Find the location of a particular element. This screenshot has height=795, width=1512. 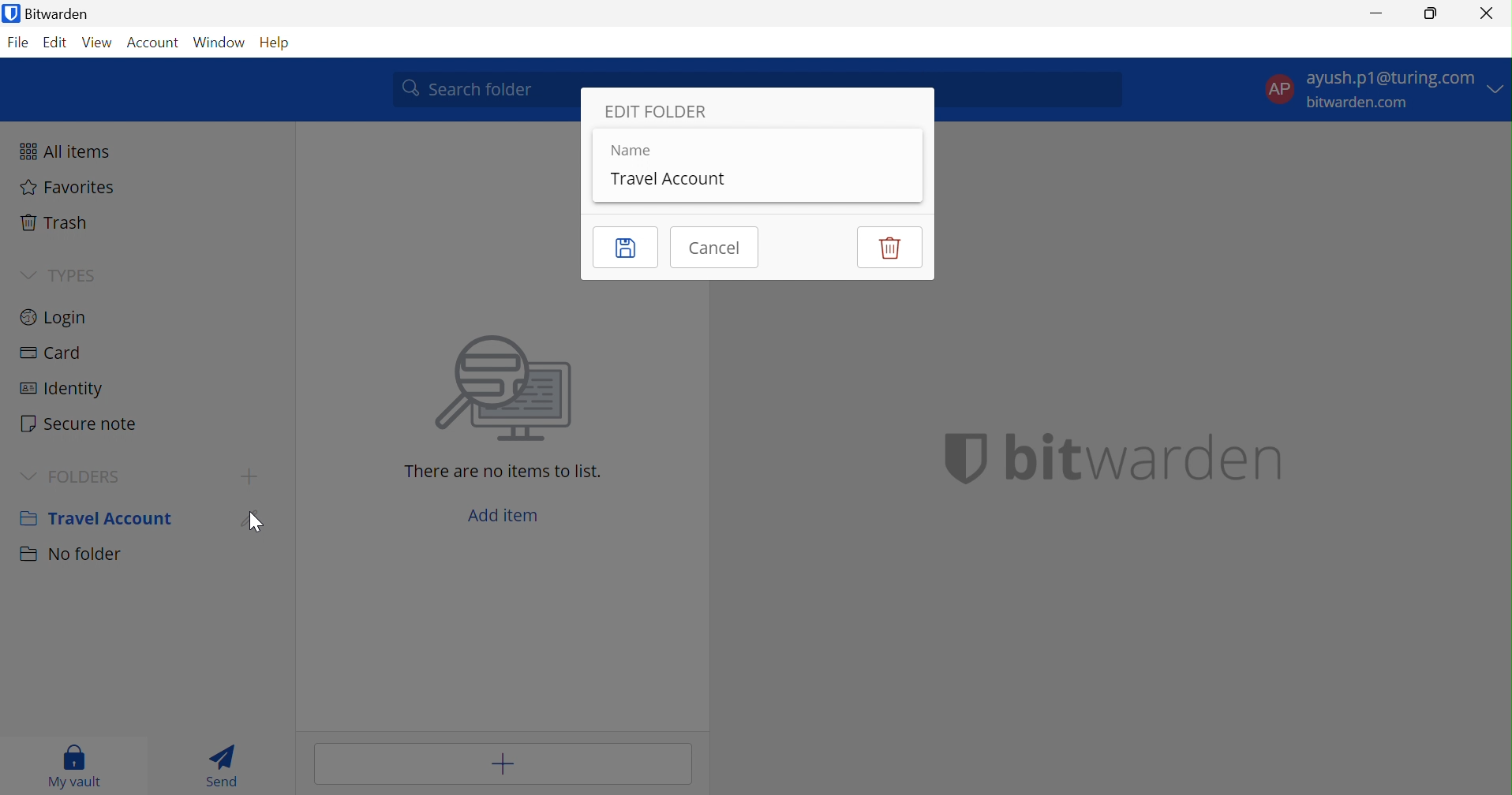

No folder is located at coordinates (70, 558).